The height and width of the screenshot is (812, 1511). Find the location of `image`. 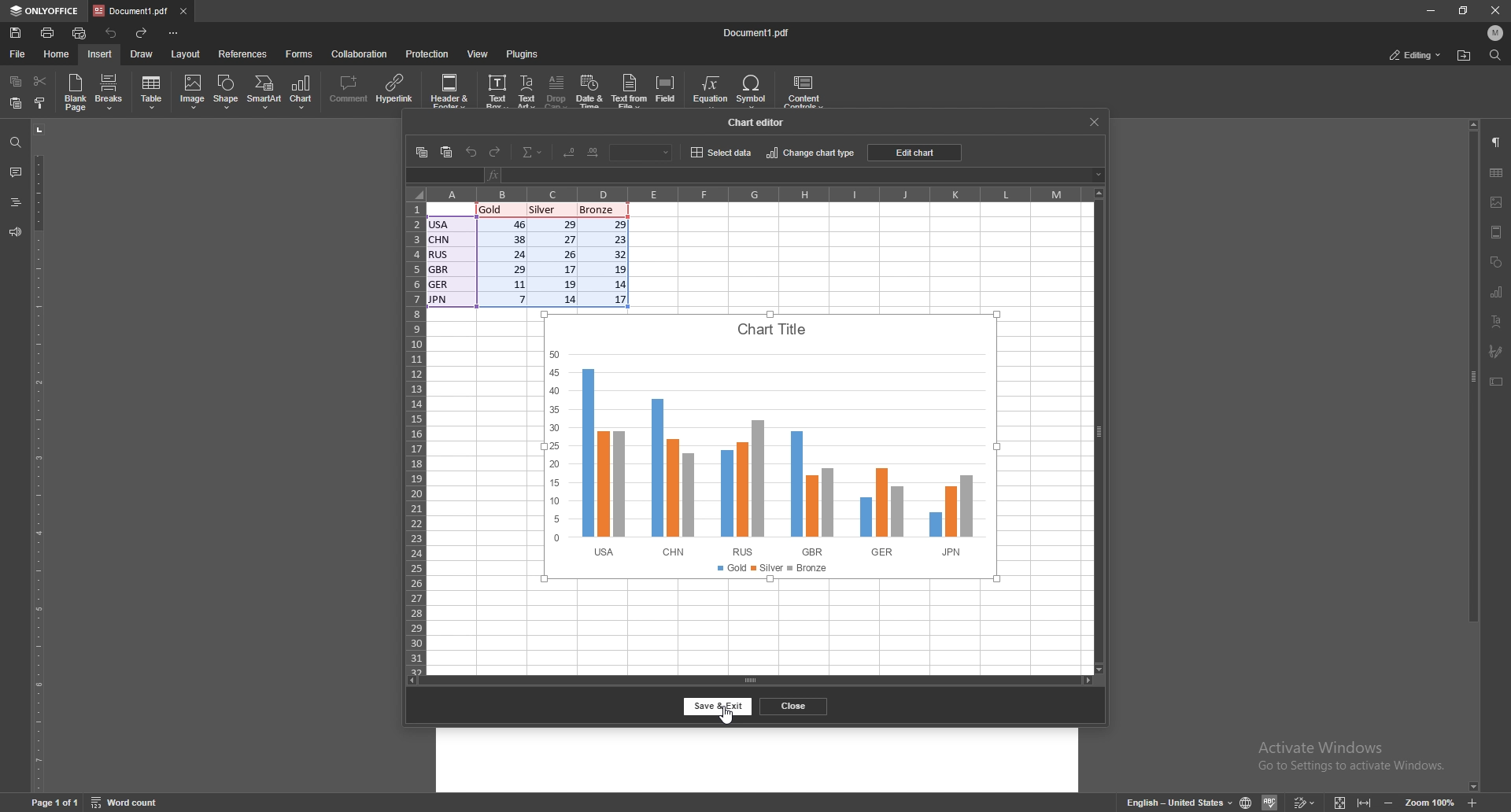

image is located at coordinates (1498, 202).